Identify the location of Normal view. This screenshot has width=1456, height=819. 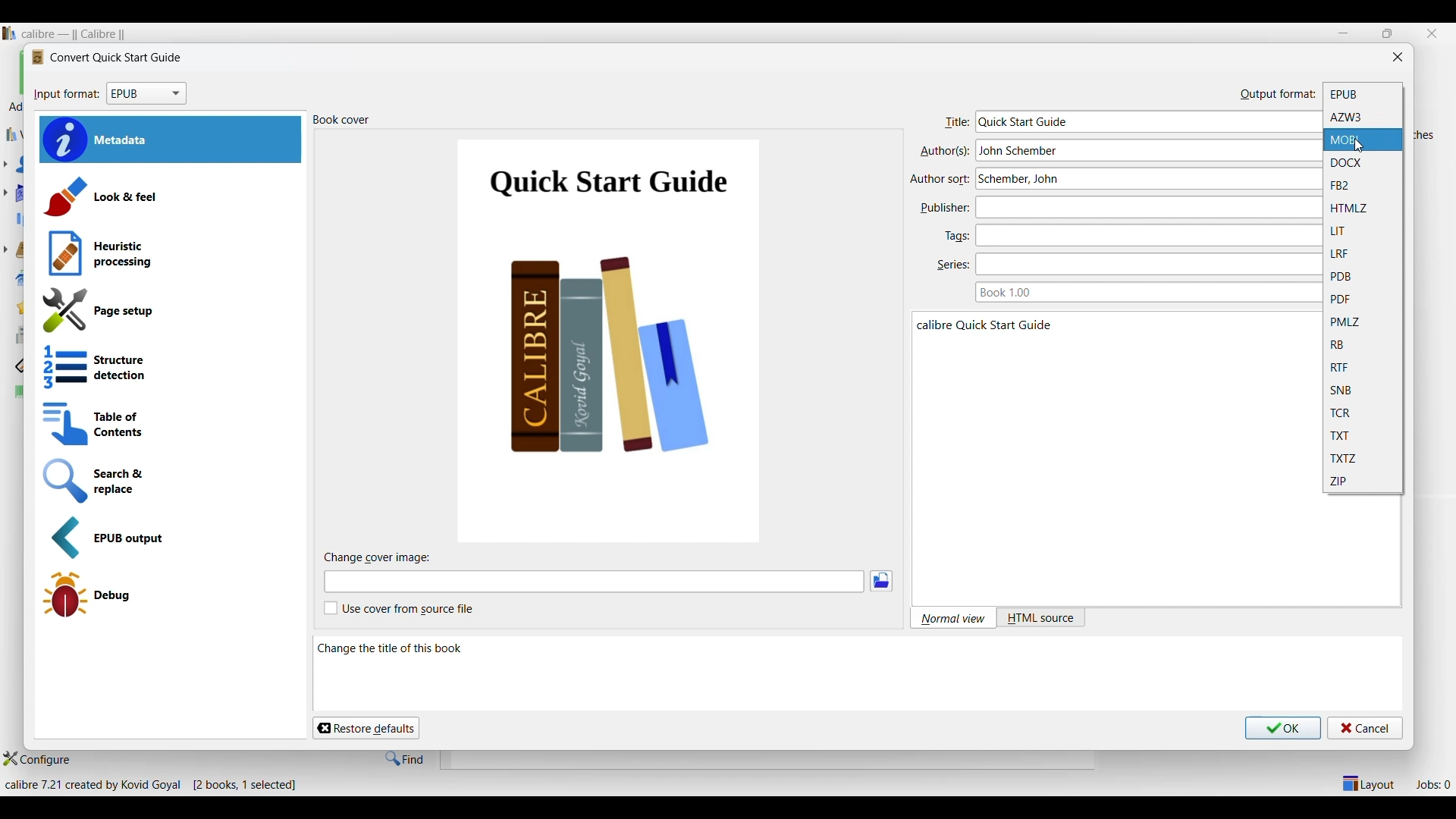
(952, 618).